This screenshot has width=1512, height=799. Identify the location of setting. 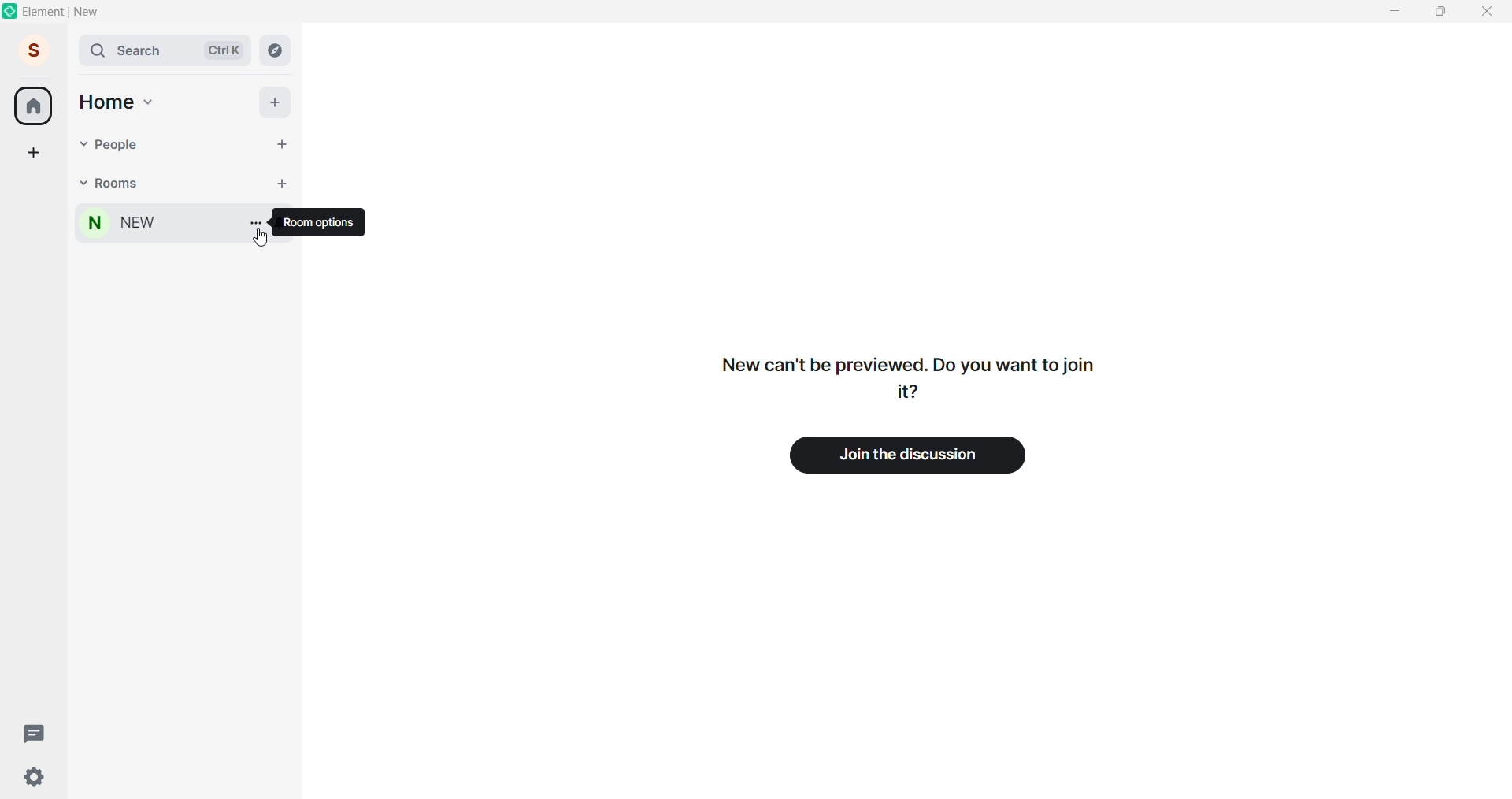
(31, 779).